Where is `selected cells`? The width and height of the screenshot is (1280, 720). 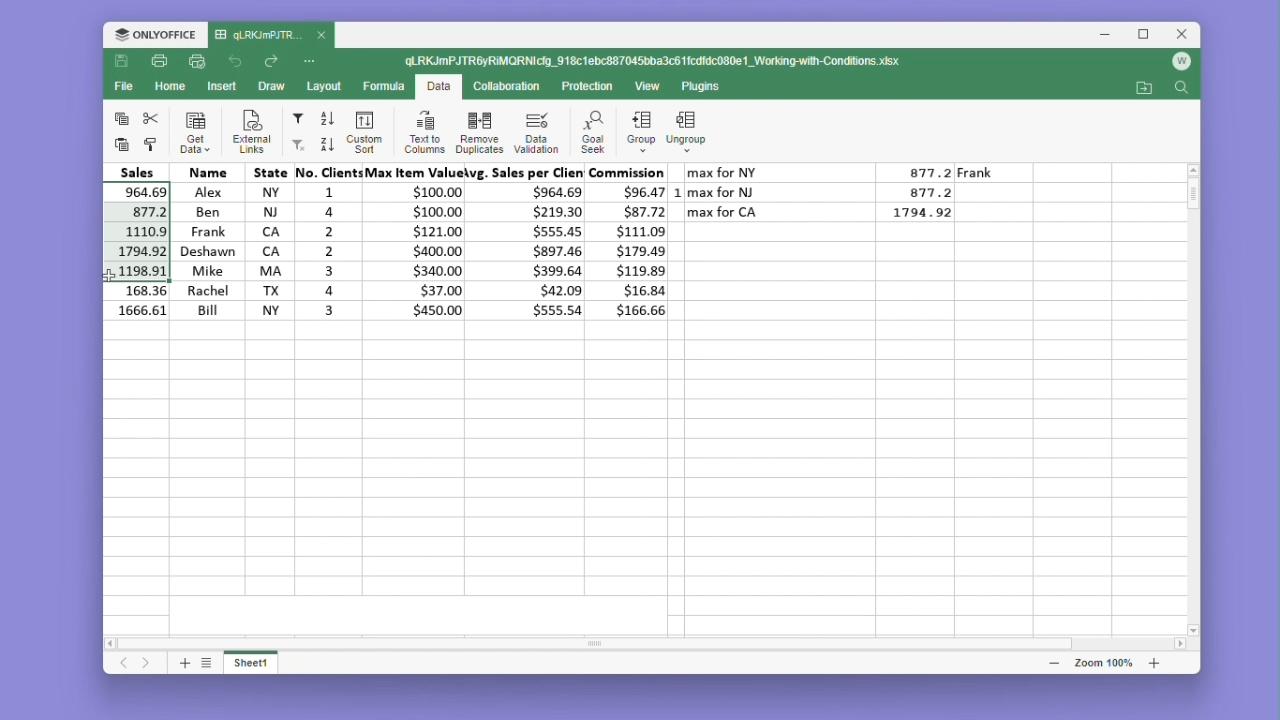
selected cells is located at coordinates (137, 232).